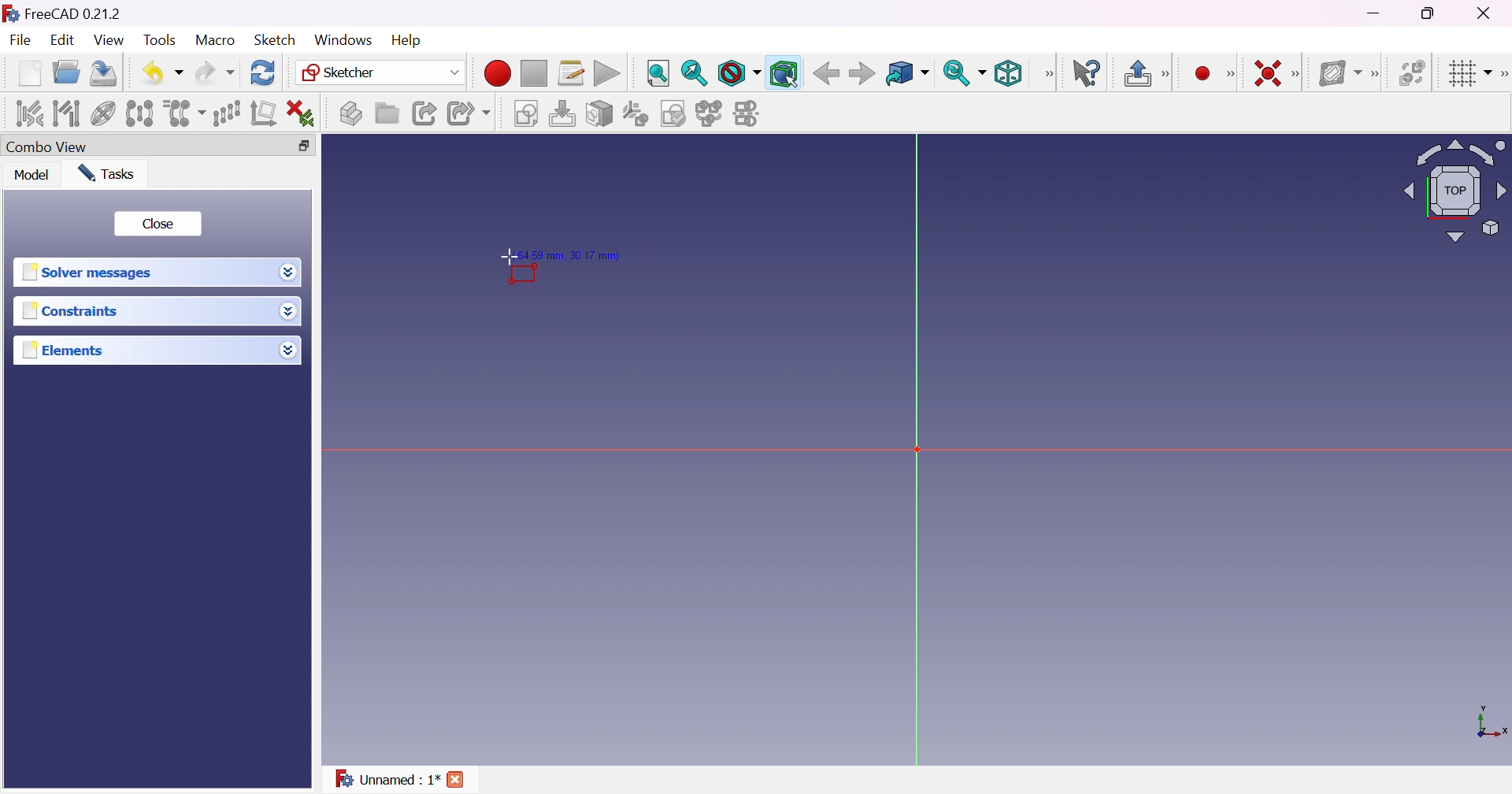 The width and height of the screenshot is (1512, 794). I want to click on View, so click(109, 39).